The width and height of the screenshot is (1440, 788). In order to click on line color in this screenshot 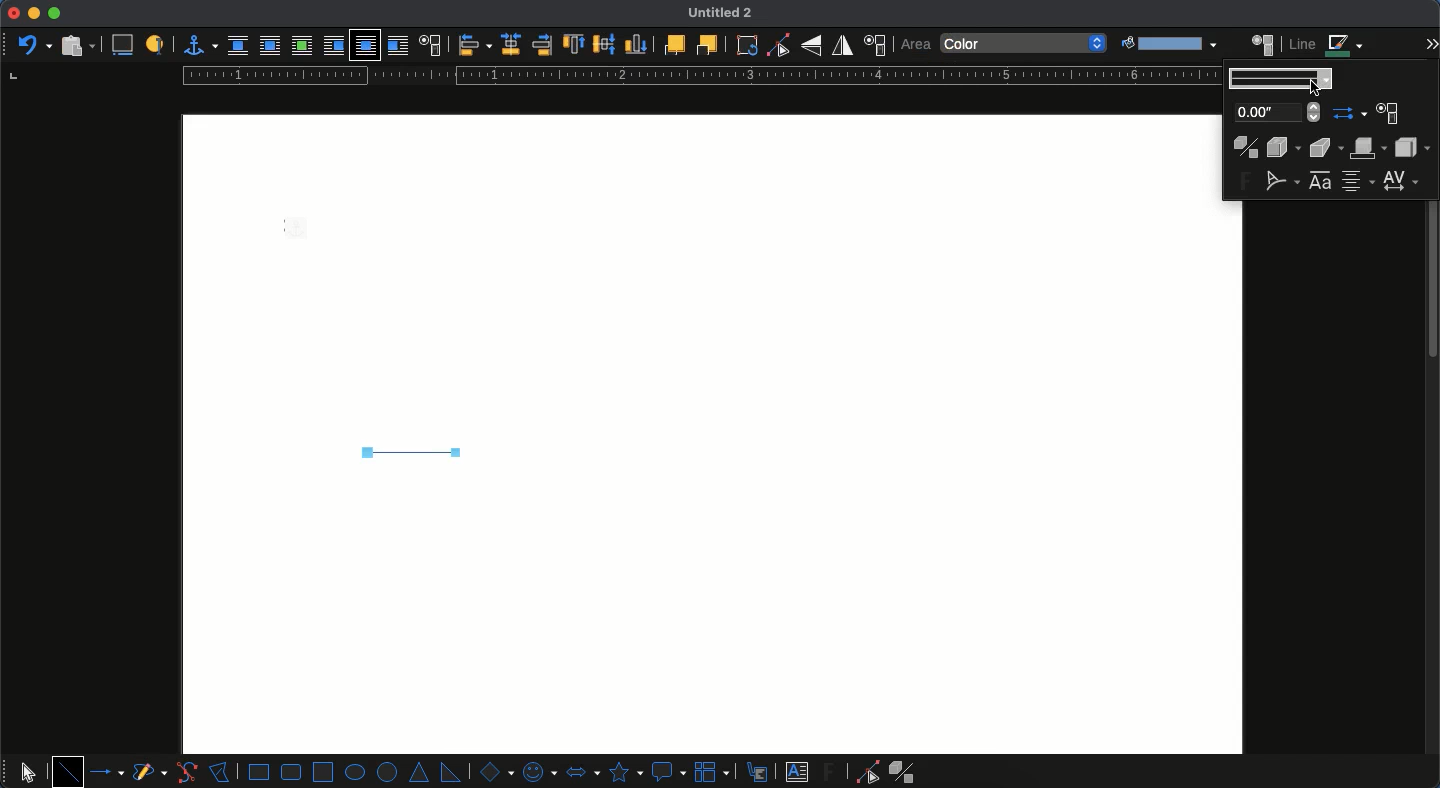, I will do `click(1327, 45)`.